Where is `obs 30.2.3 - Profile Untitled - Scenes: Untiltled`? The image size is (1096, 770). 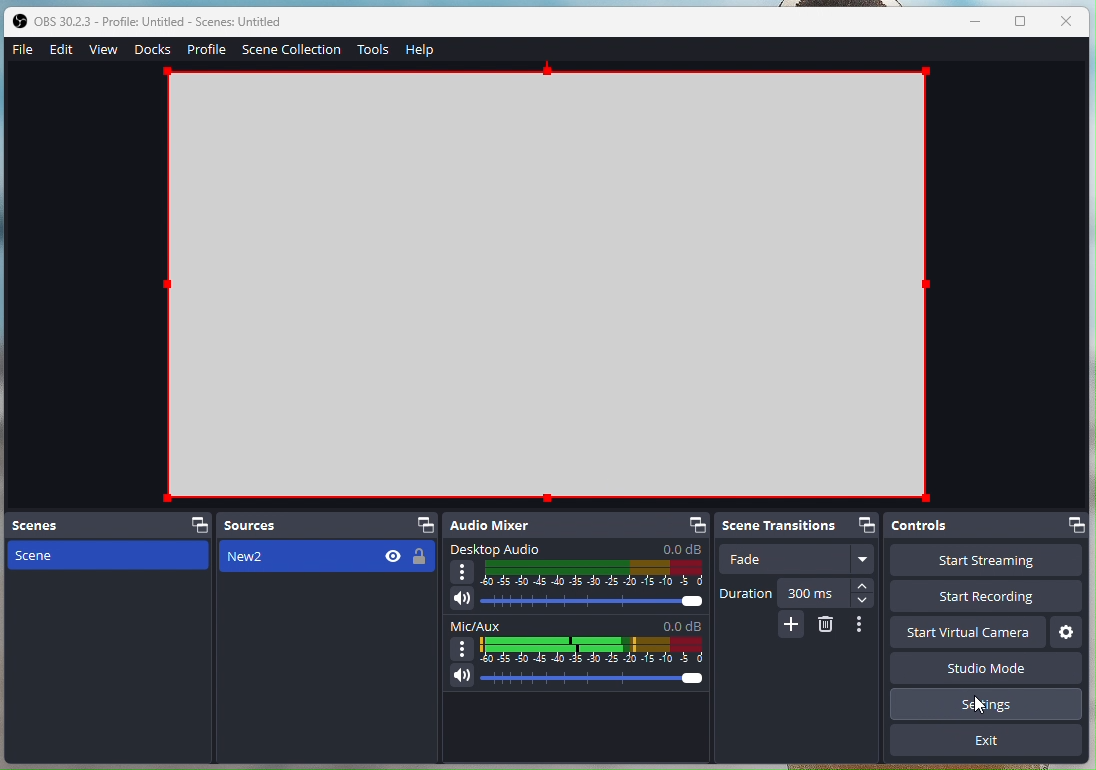
obs 30.2.3 - Profile Untitled - Scenes: Untiltled is located at coordinates (175, 21).